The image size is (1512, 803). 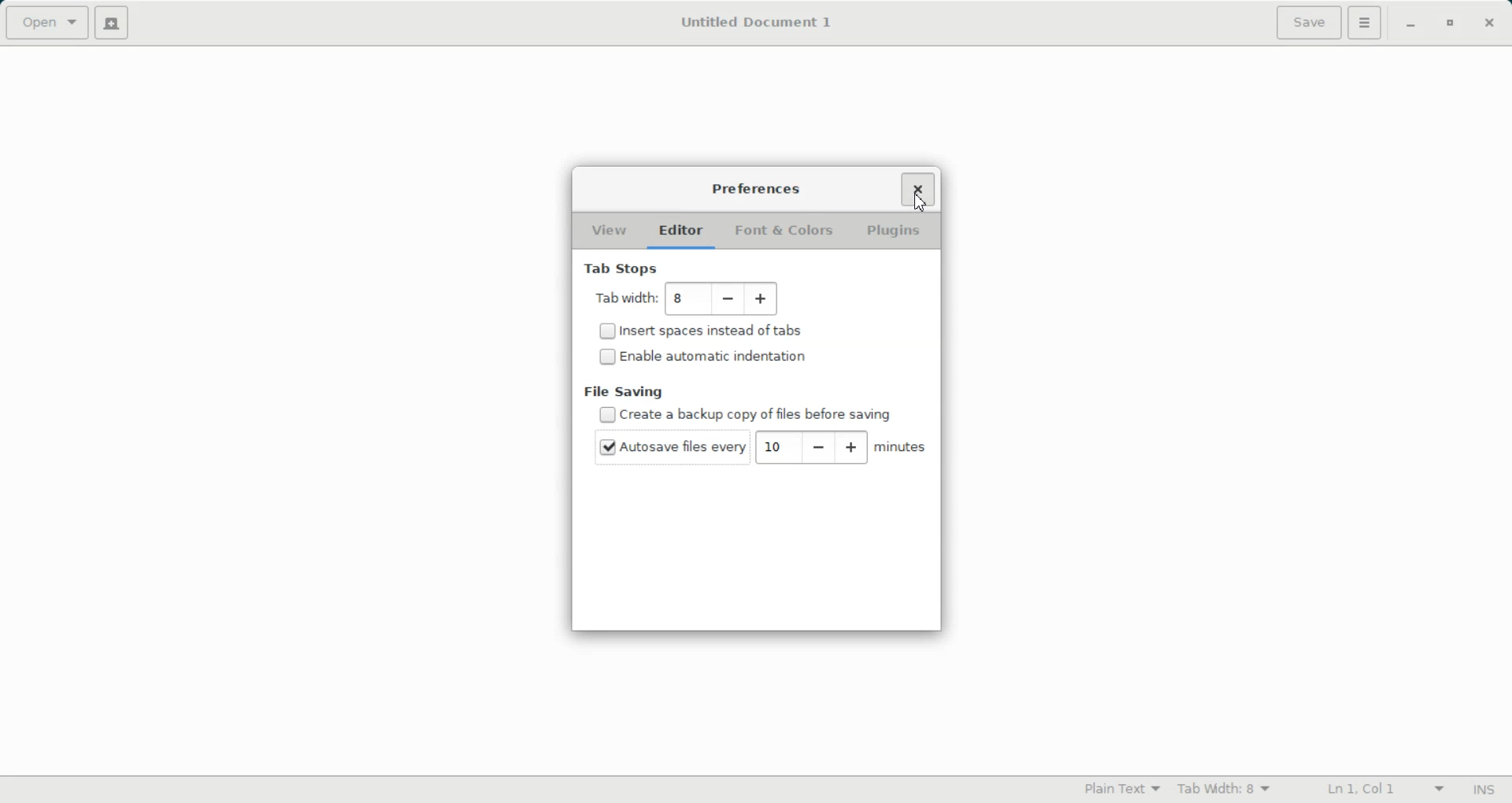 I want to click on Tab width , so click(x=623, y=299).